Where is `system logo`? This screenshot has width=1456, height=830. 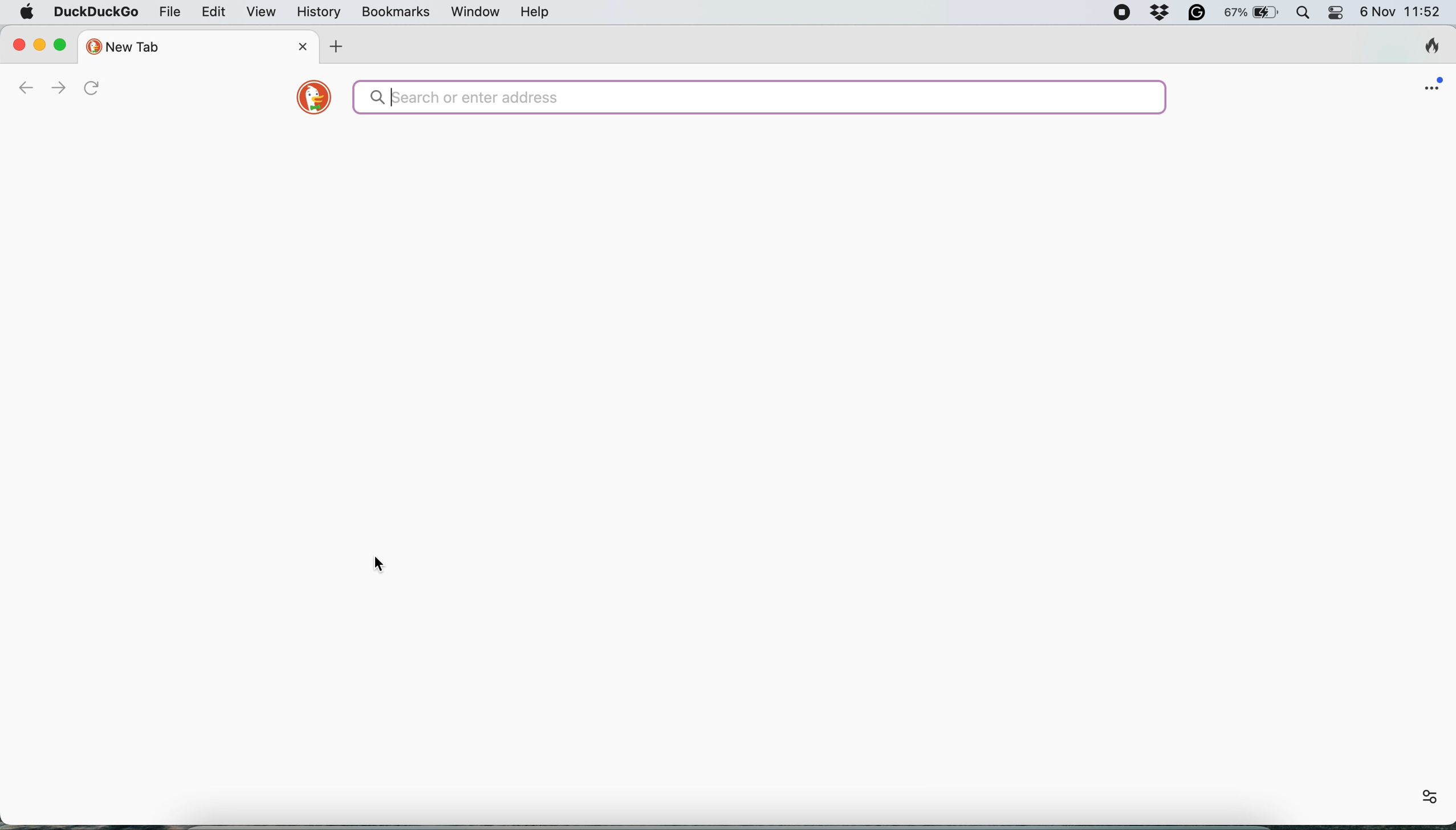
system logo is located at coordinates (29, 13).